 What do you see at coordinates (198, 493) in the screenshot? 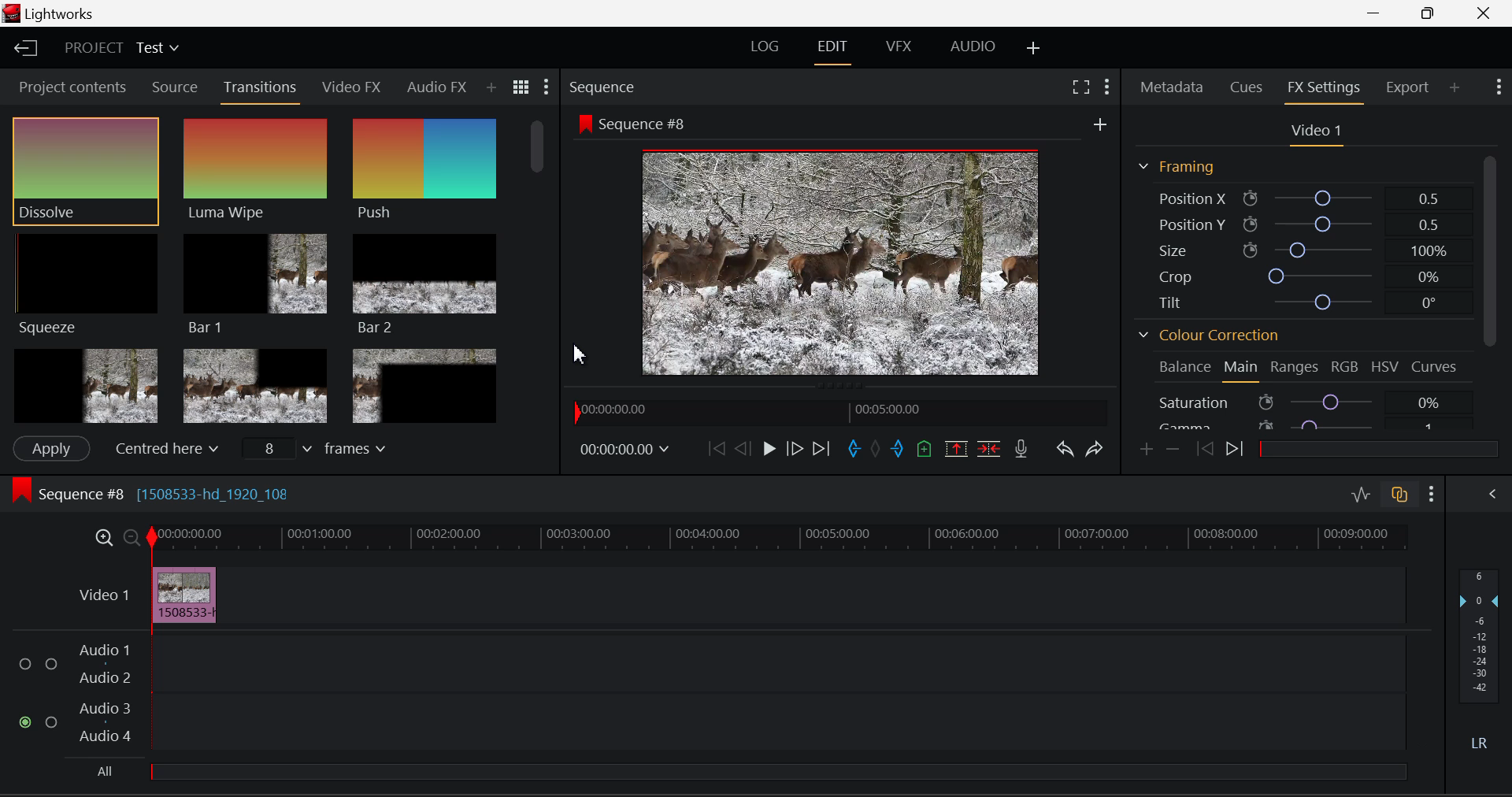
I see `Sequence #8 [1508533-hd_1920_108` at bounding box center [198, 493].